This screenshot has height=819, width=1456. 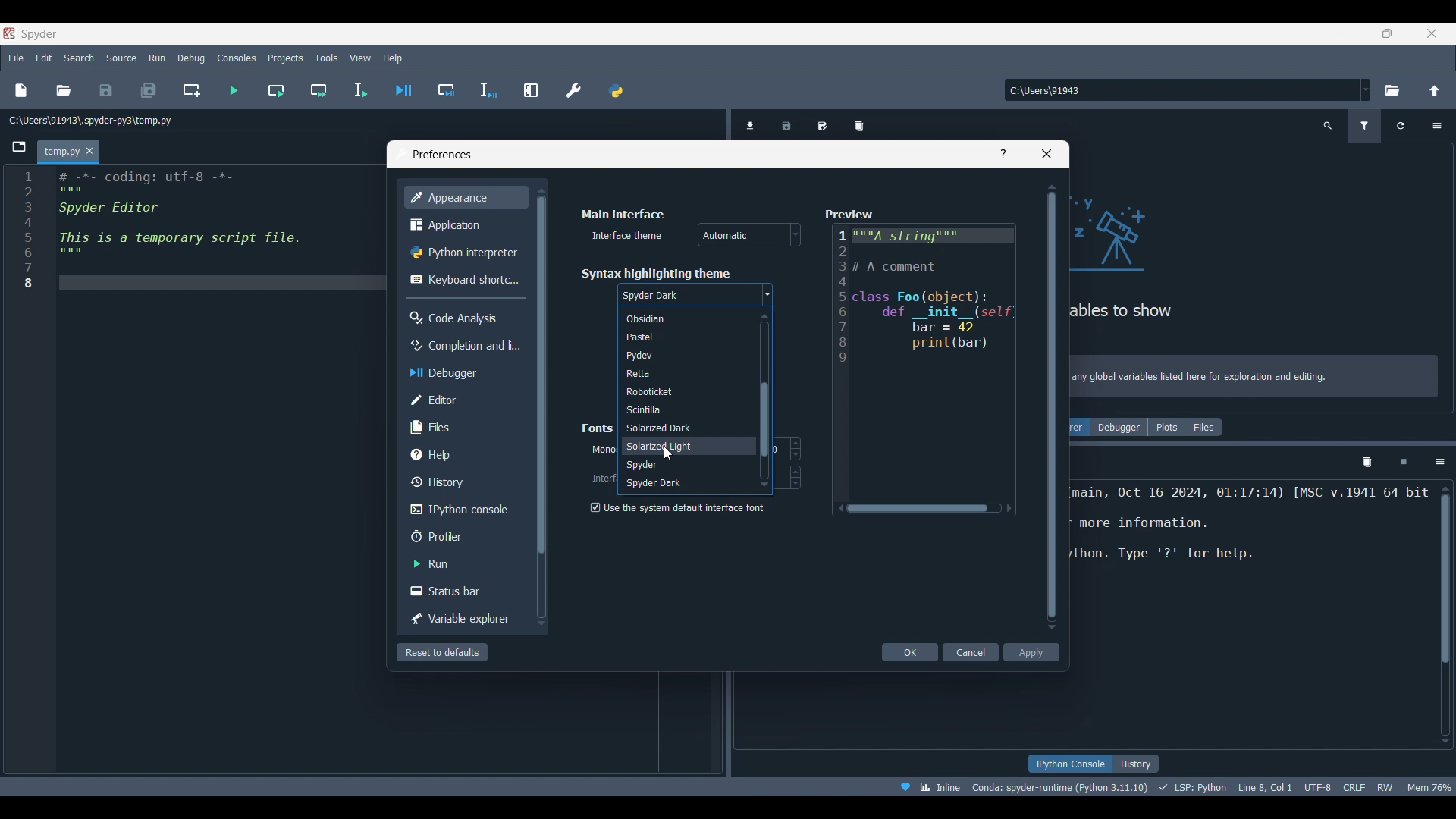 What do you see at coordinates (39, 34) in the screenshot?
I see `Software logo` at bounding box center [39, 34].